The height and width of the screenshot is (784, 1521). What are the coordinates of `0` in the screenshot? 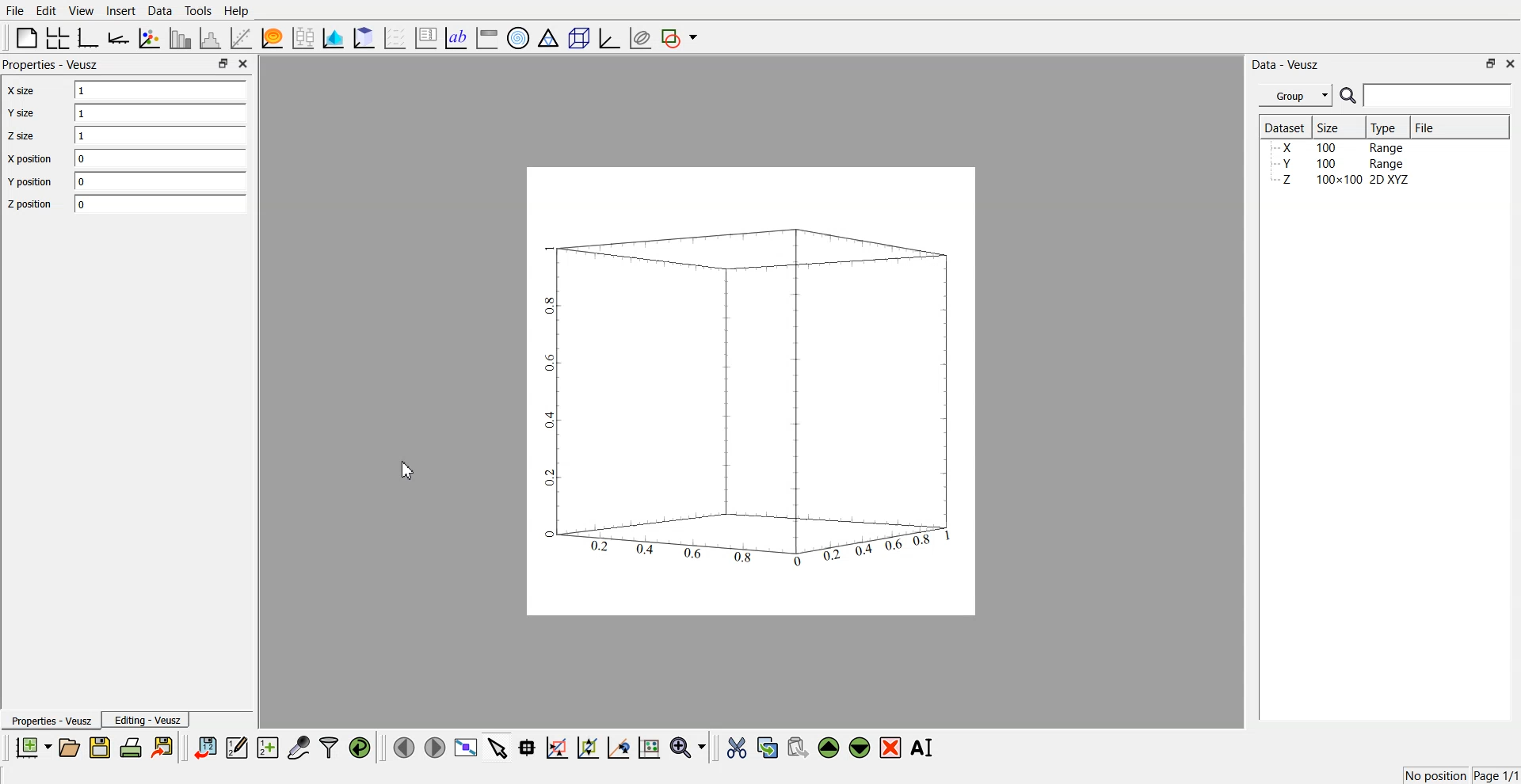 It's located at (159, 158).